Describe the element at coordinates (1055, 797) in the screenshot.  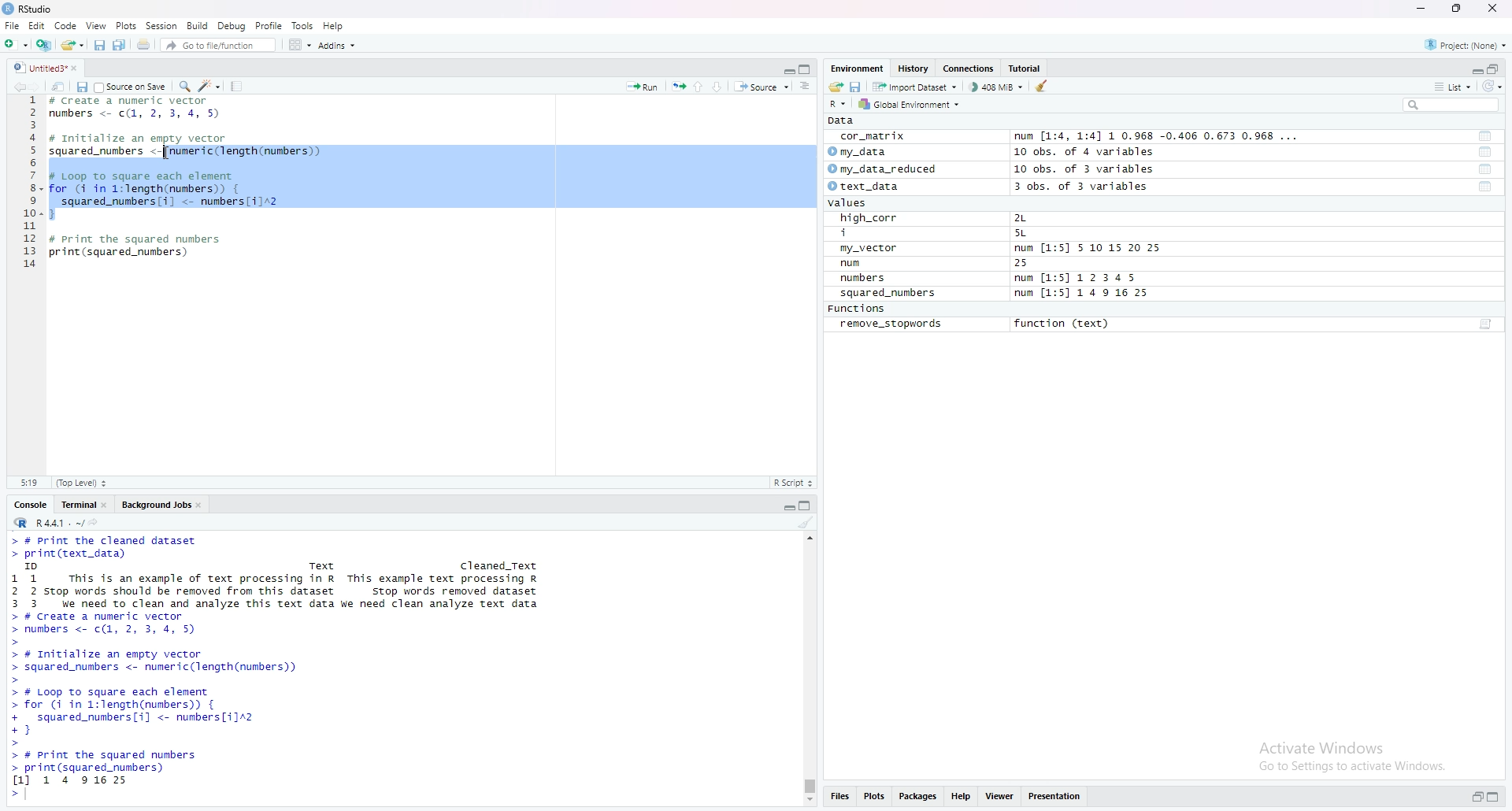
I see `Presentation` at that location.